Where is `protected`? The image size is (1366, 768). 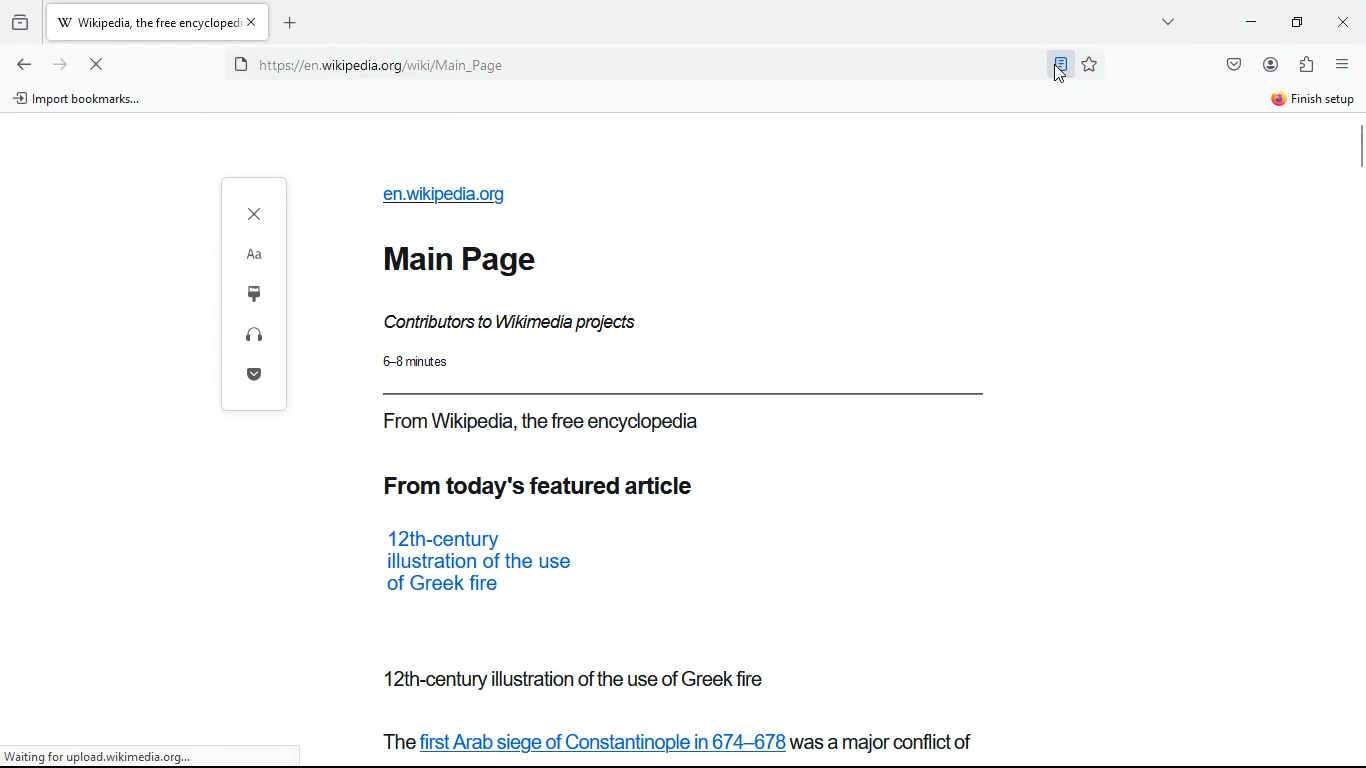
protected is located at coordinates (241, 63).